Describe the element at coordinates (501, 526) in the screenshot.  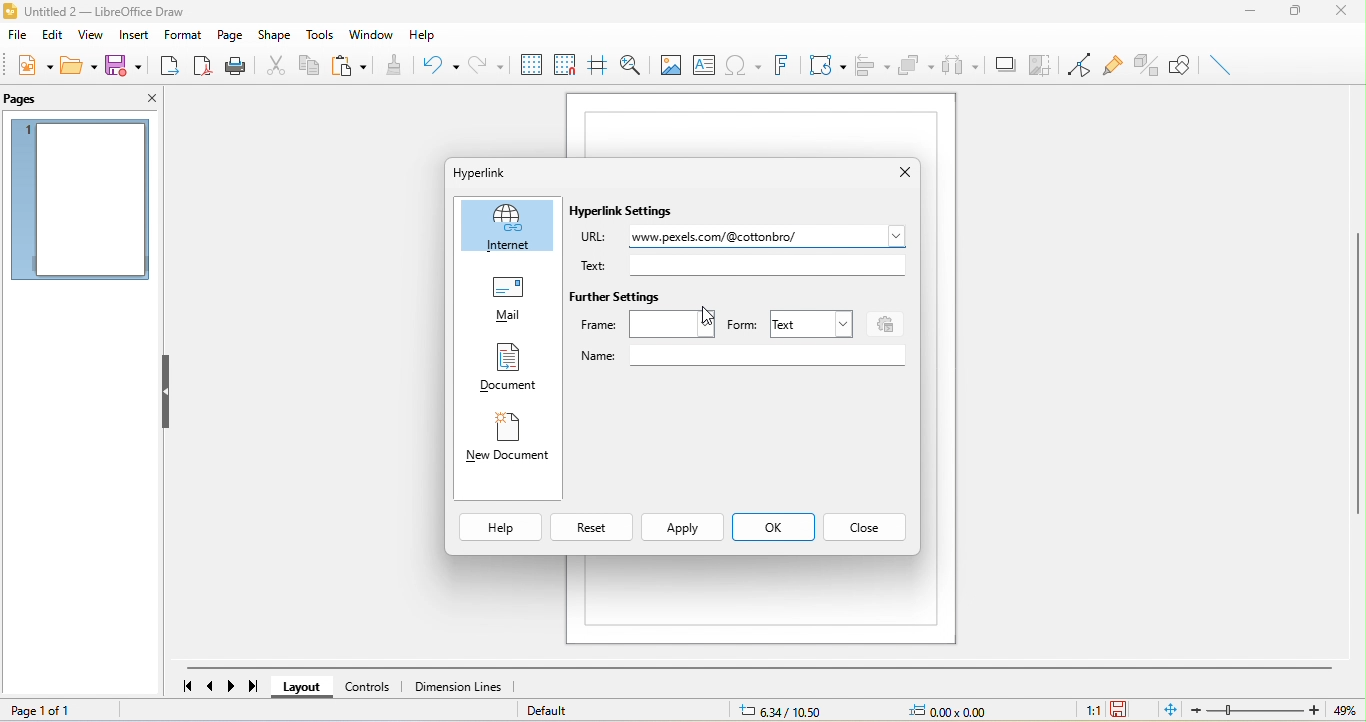
I see `help` at that location.